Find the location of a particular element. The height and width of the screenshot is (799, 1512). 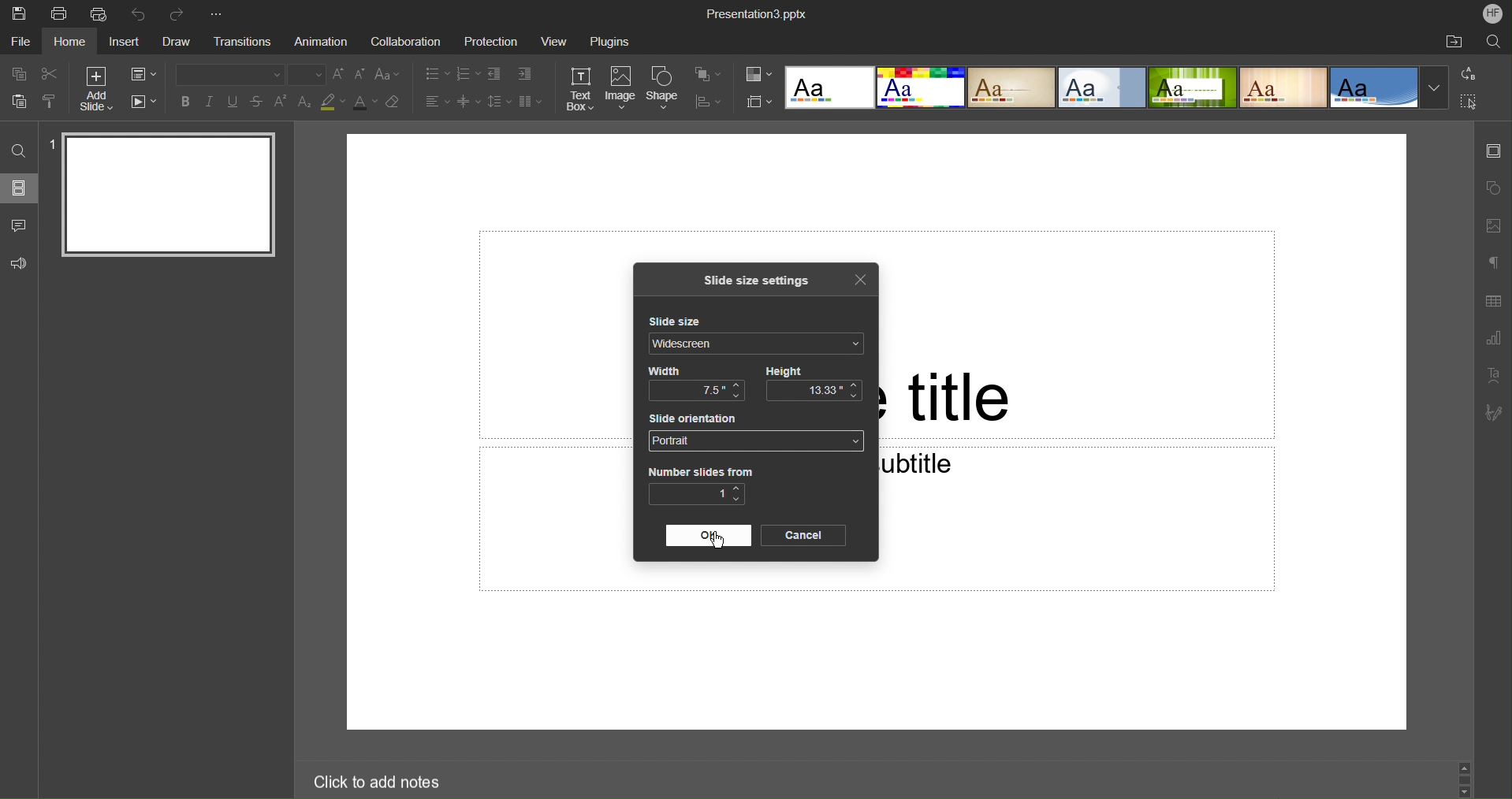

Find is located at coordinates (18, 151).